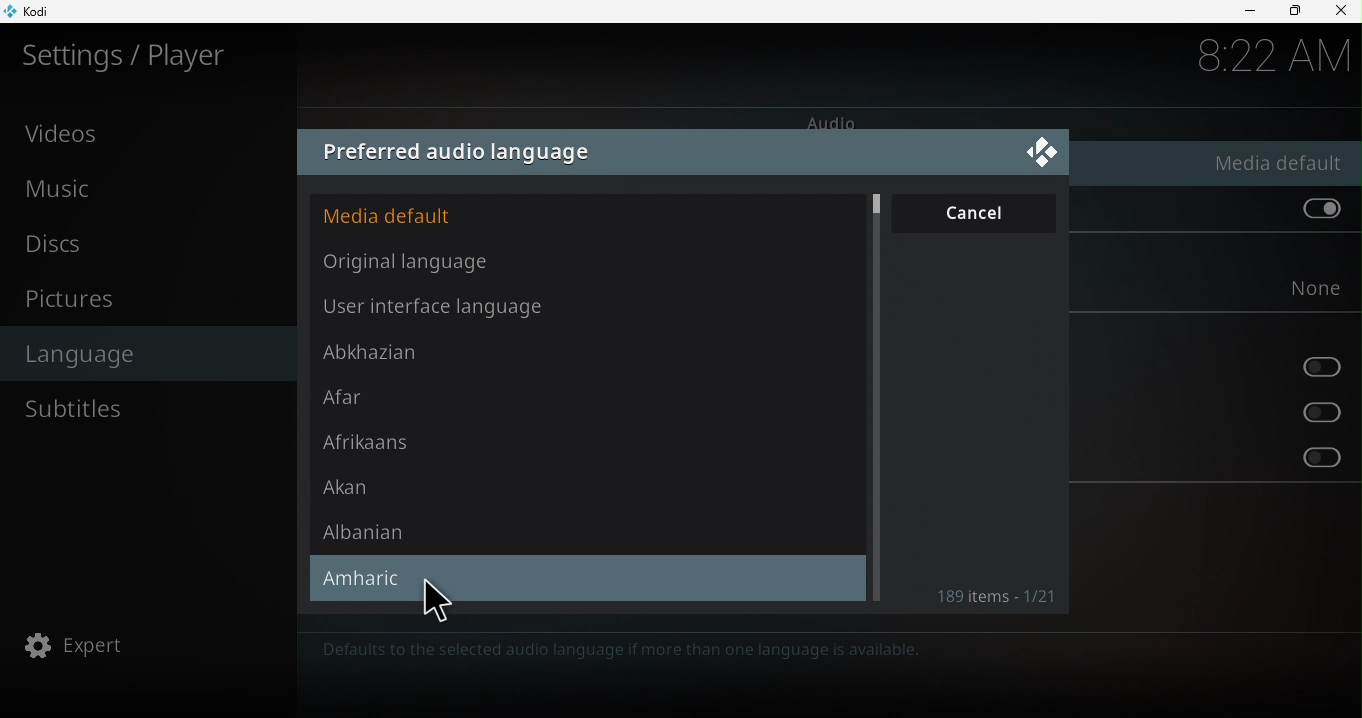 This screenshot has width=1362, height=718. What do you see at coordinates (1000, 598) in the screenshot?
I see `189 Items * 1/21` at bounding box center [1000, 598].